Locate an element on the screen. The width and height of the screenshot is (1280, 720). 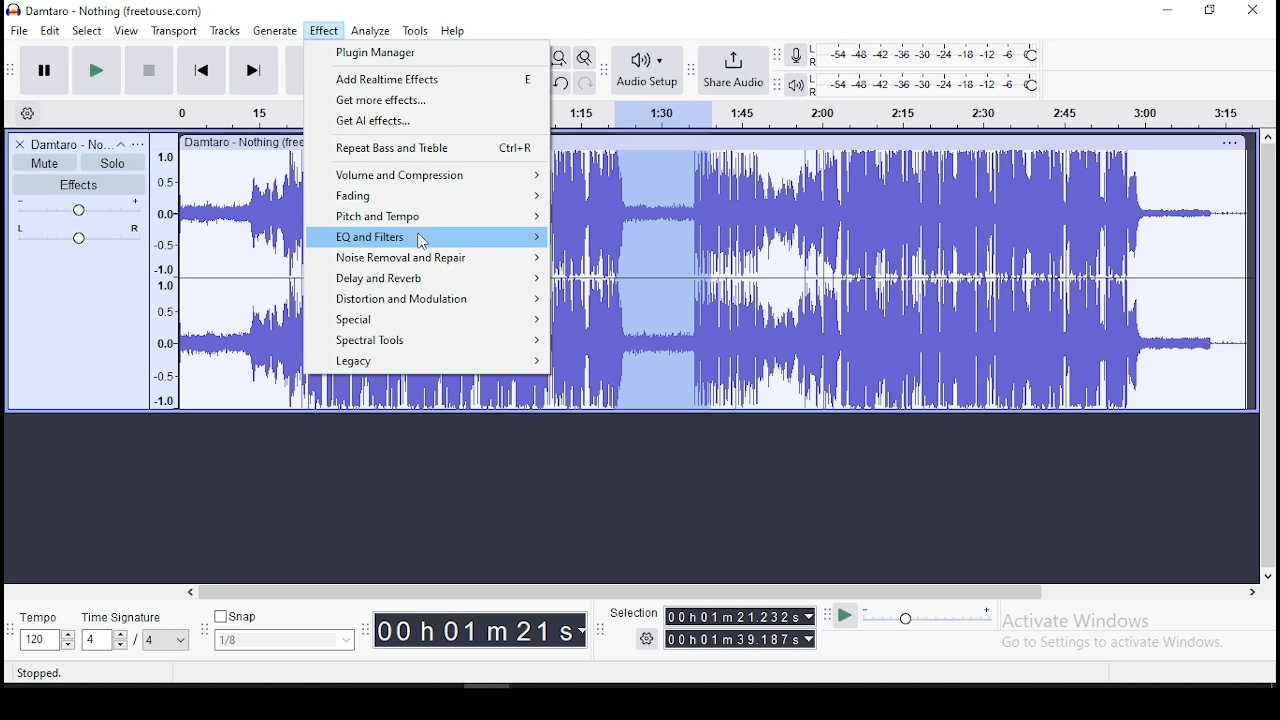
add real time effects is located at coordinates (428, 80).